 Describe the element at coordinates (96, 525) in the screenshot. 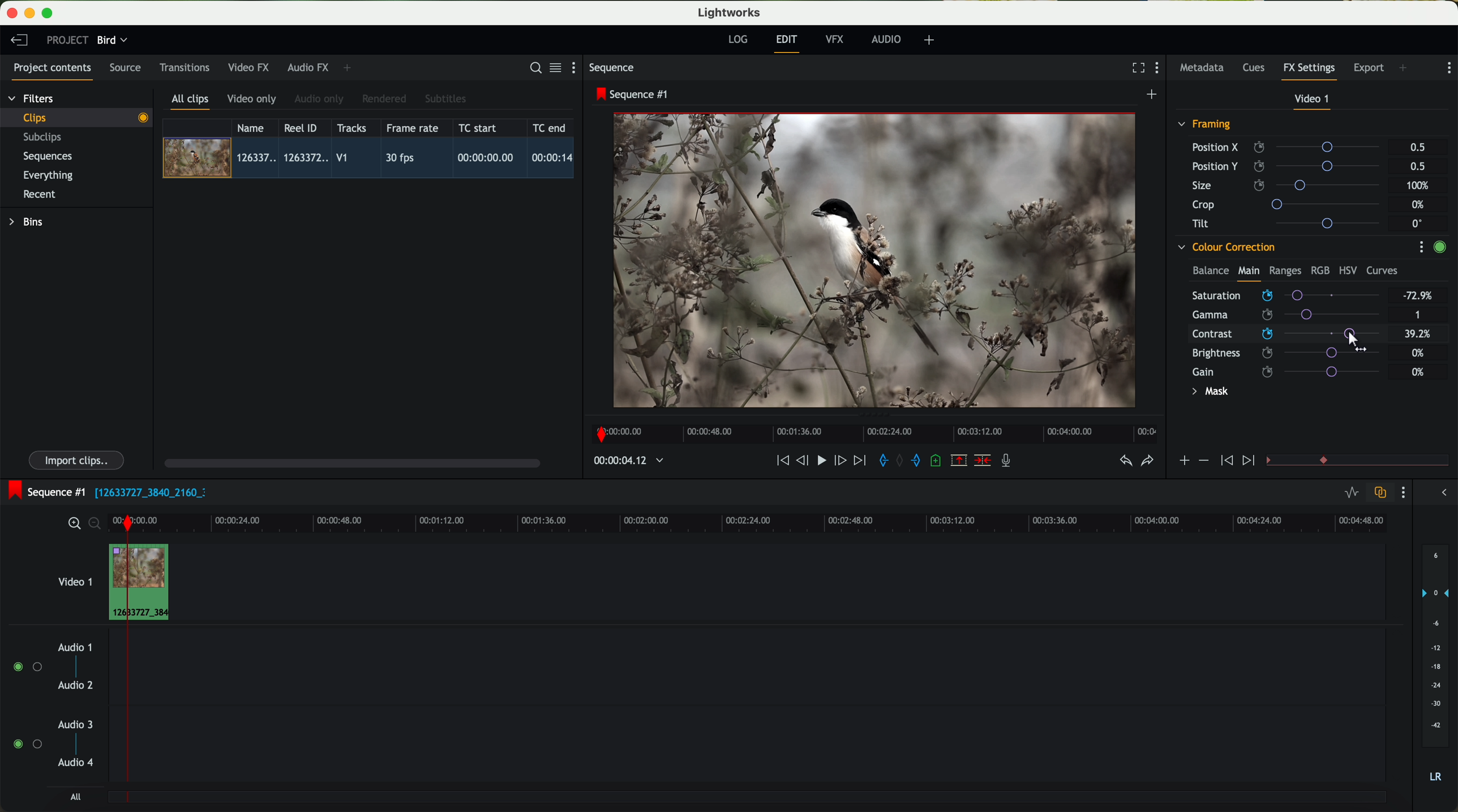

I see `zoom out` at that location.